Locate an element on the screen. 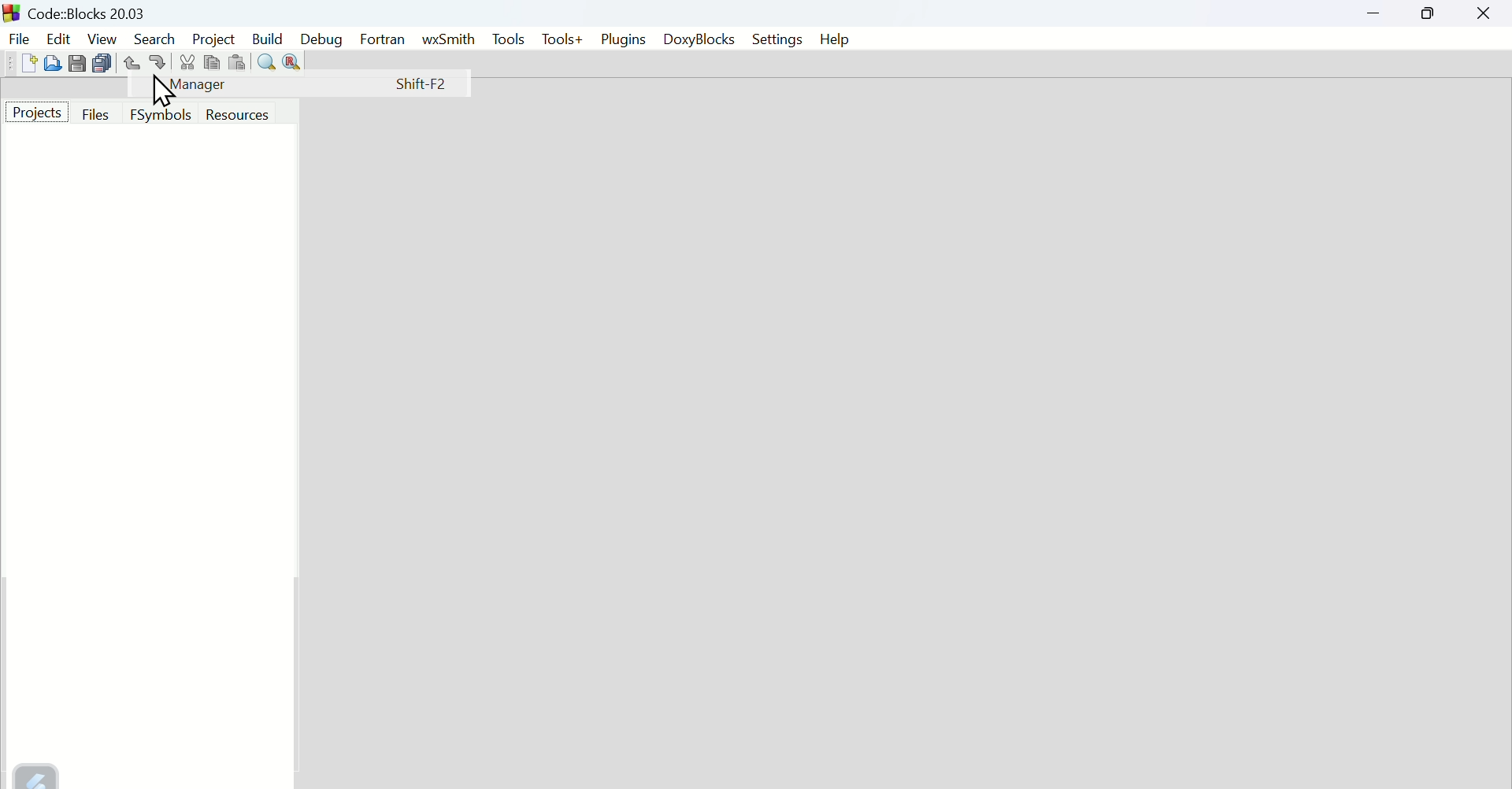 The image size is (1512, 789). Build is located at coordinates (267, 39).